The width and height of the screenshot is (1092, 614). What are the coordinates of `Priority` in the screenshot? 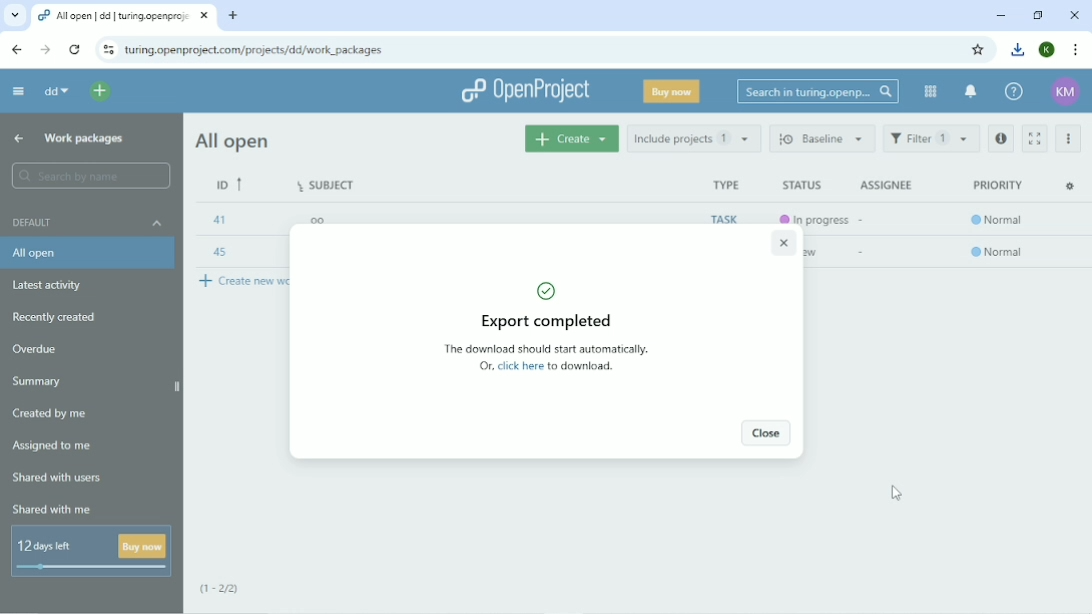 It's located at (998, 185).